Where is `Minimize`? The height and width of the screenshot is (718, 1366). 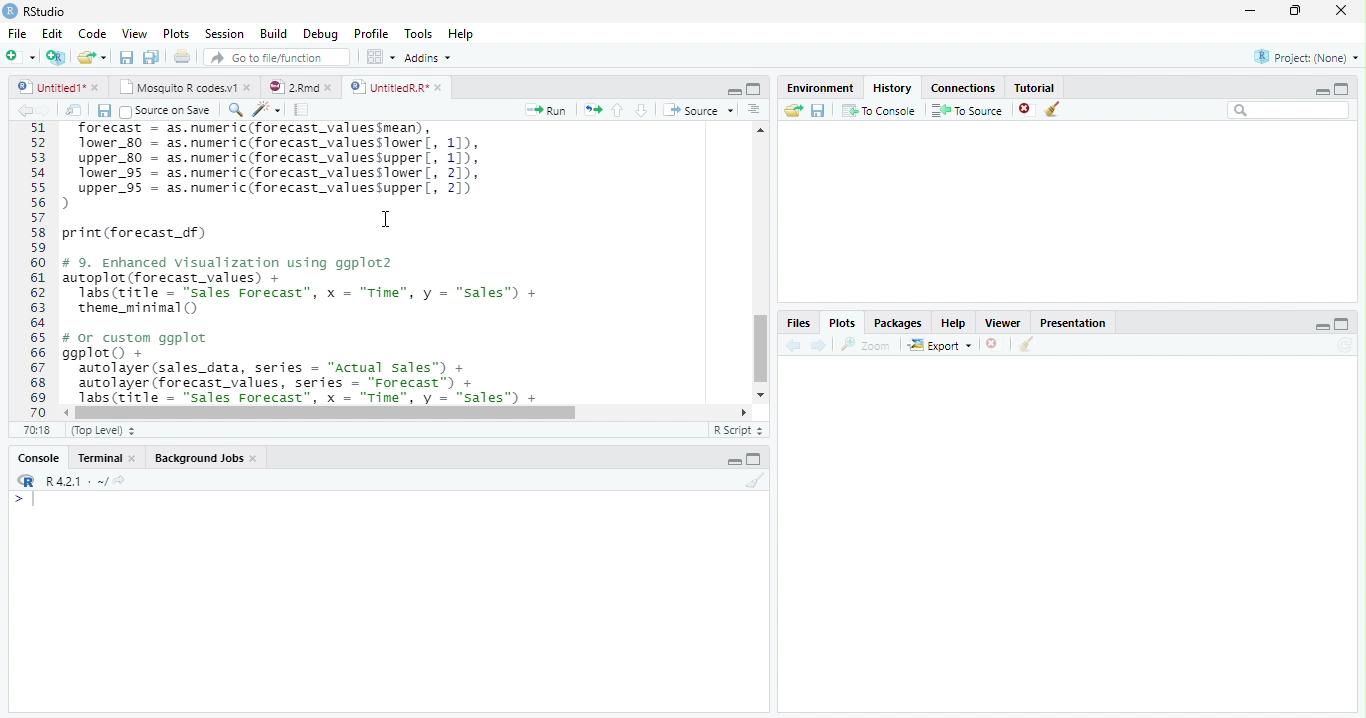 Minimize is located at coordinates (1252, 10).